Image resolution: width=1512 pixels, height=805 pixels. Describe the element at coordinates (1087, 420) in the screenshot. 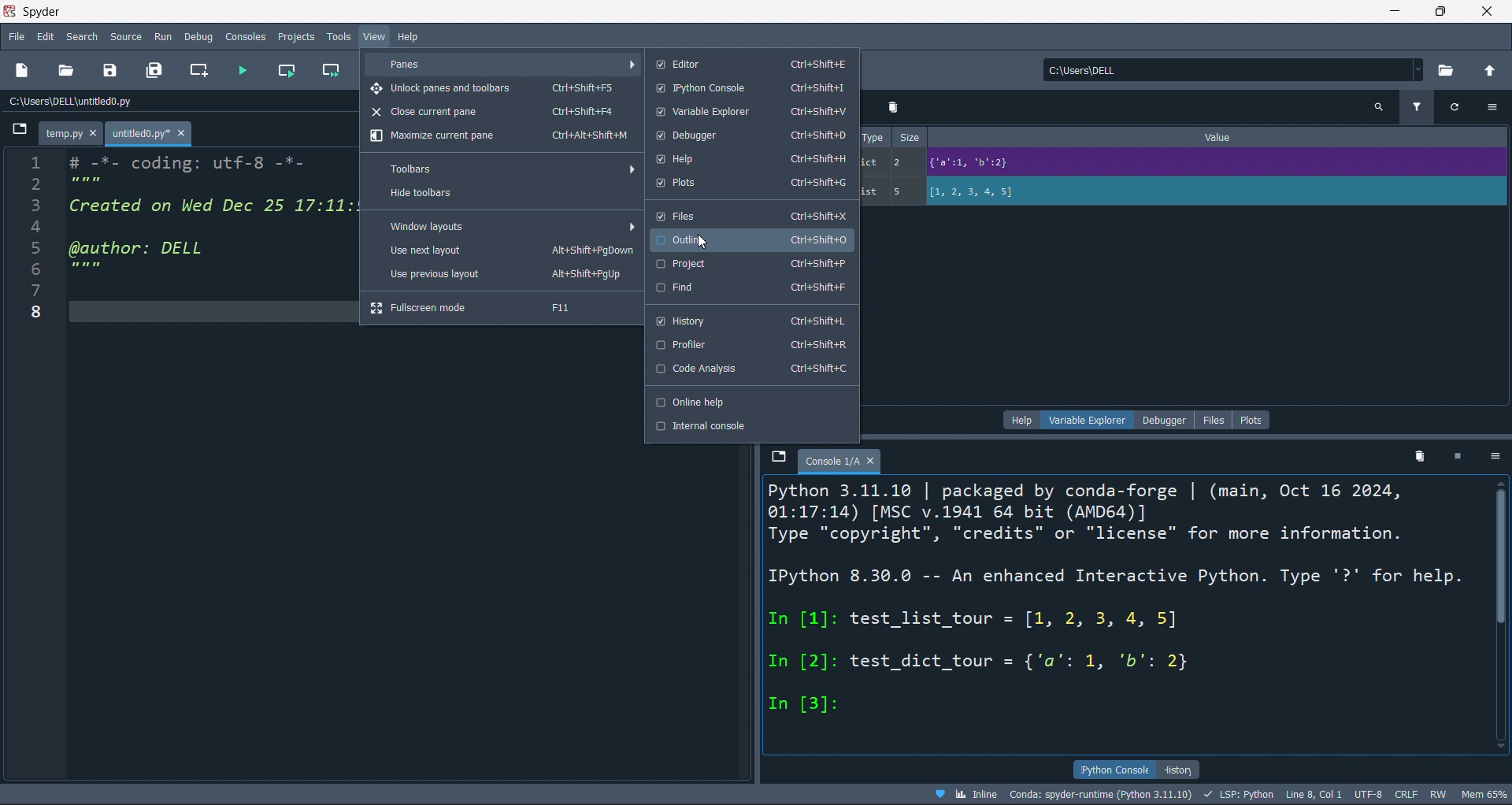

I see `variable explorer` at that location.